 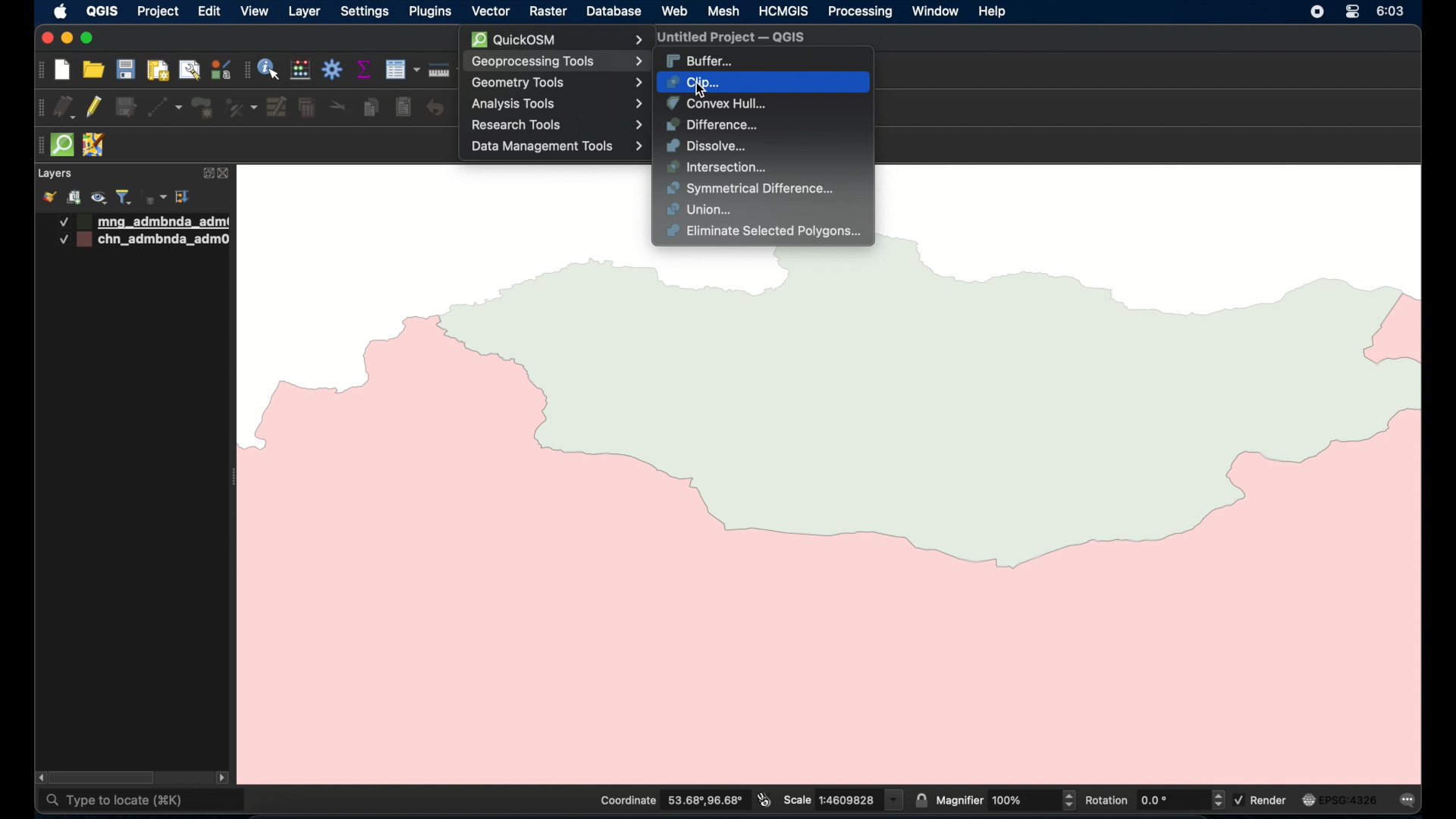 I want to click on geoprocessing tools, so click(x=557, y=61).